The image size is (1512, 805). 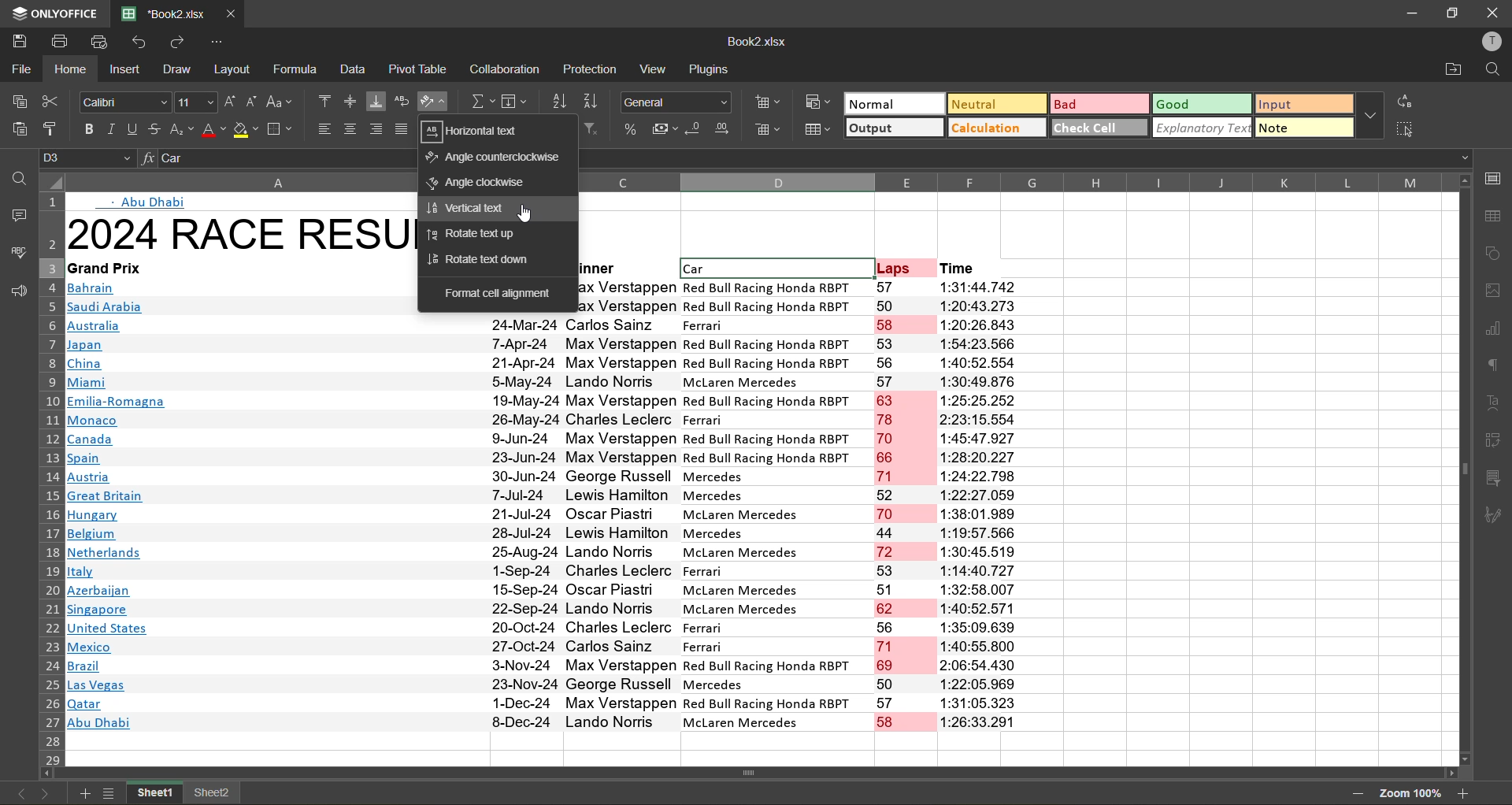 I want to click on file, so click(x=18, y=72).